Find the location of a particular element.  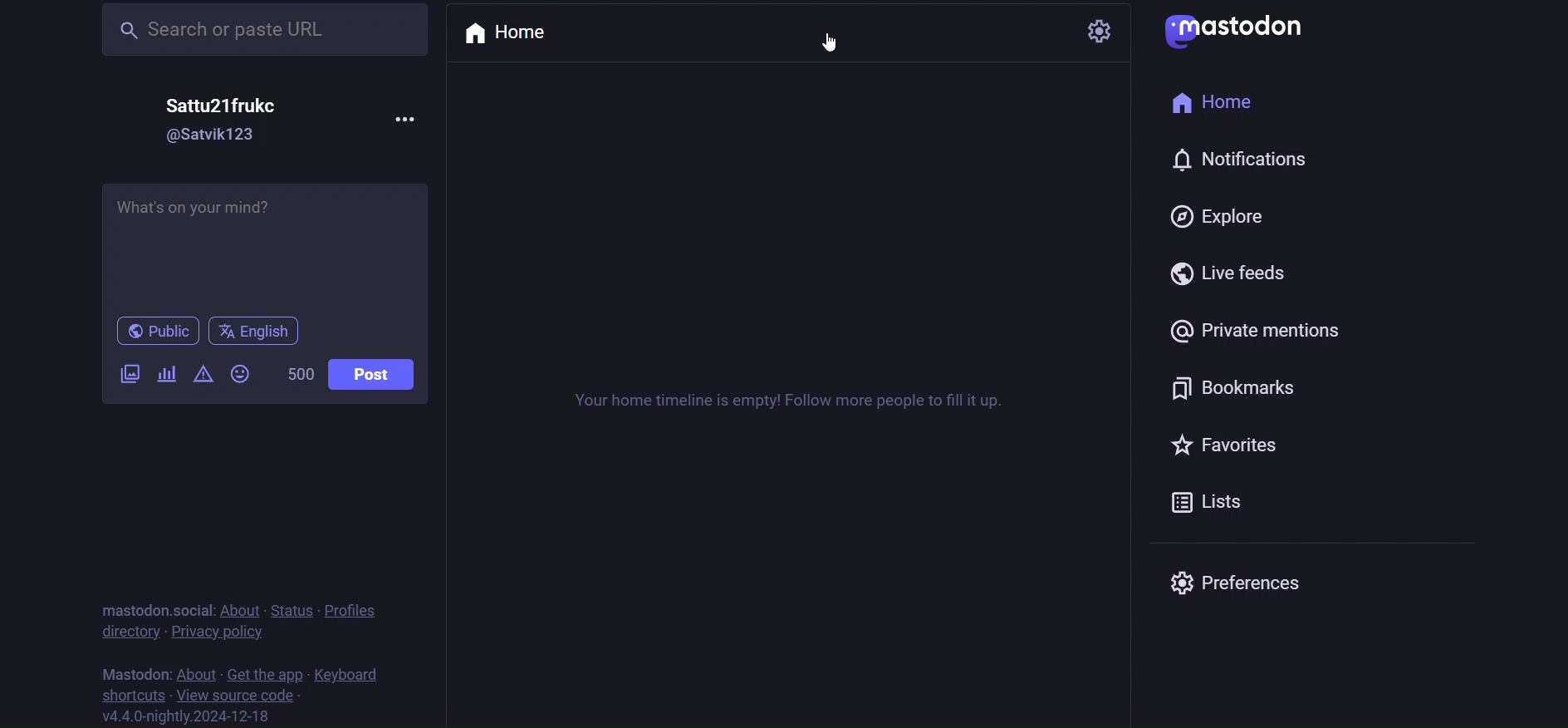

content warning is located at coordinates (202, 371).